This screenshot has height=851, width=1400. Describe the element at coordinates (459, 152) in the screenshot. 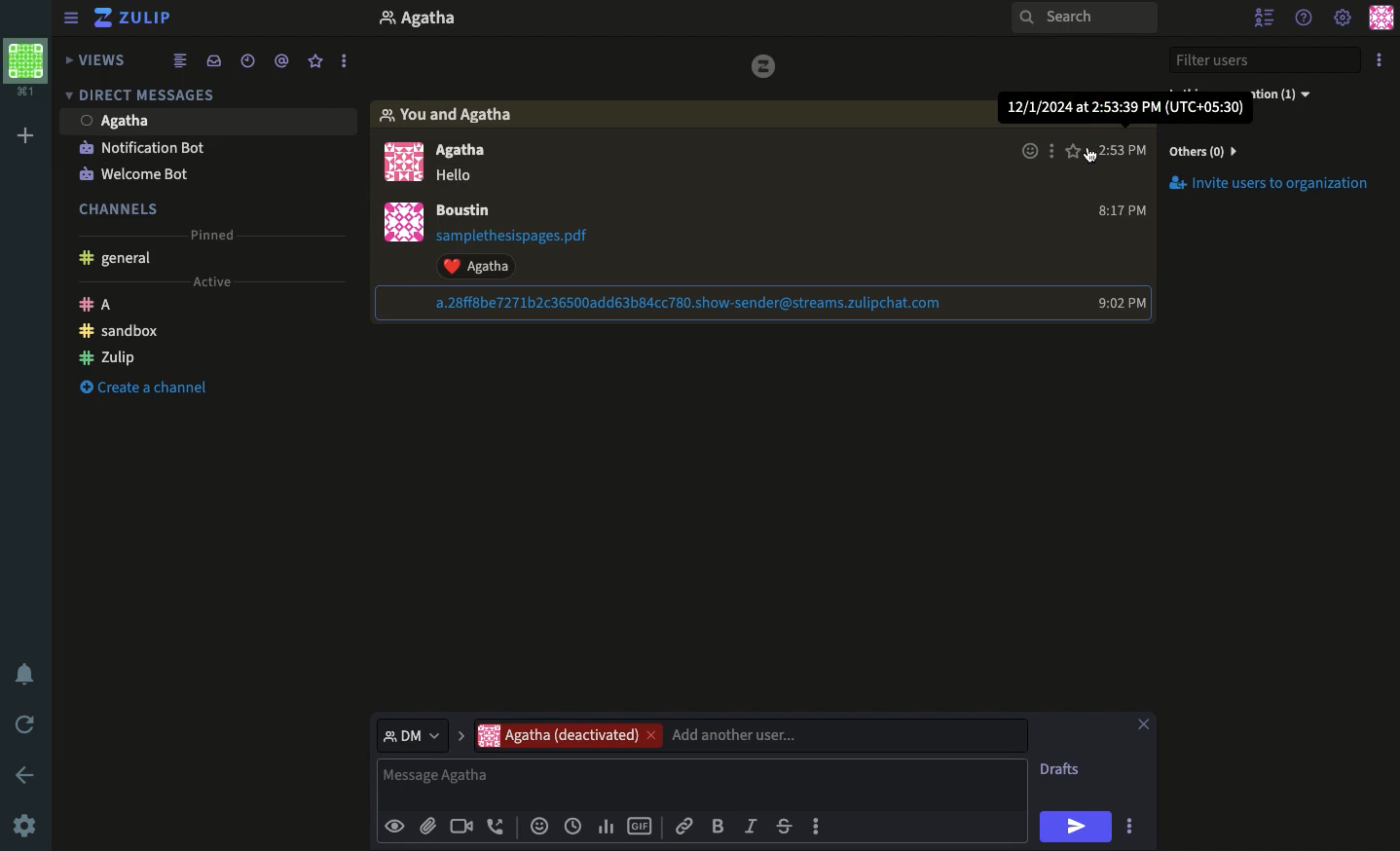

I see `User` at that location.